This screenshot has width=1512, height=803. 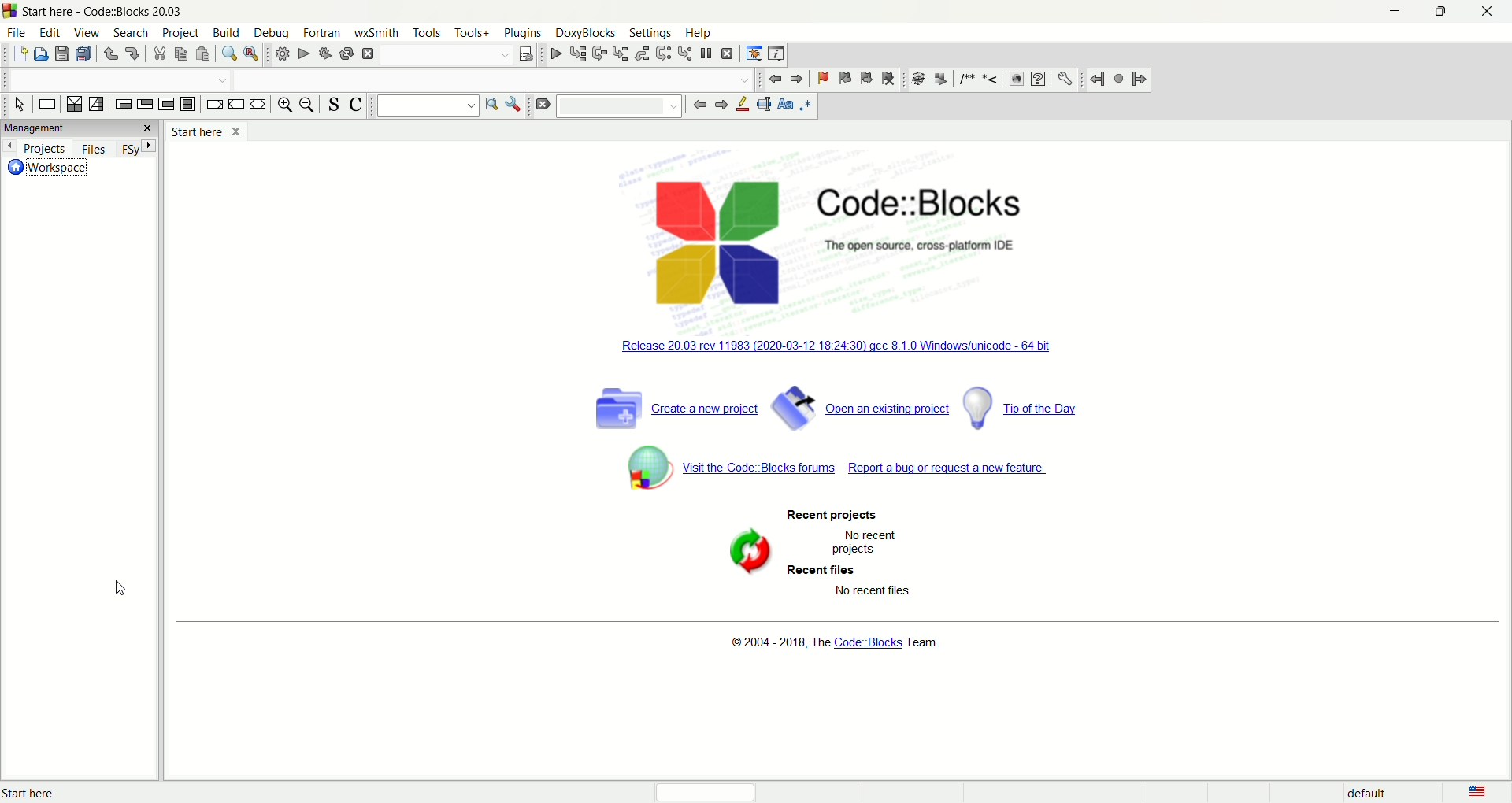 What do you see at coordinates (1117, 80) in the screenshot?
I see `last jump` at bounding box center [1117, 80].